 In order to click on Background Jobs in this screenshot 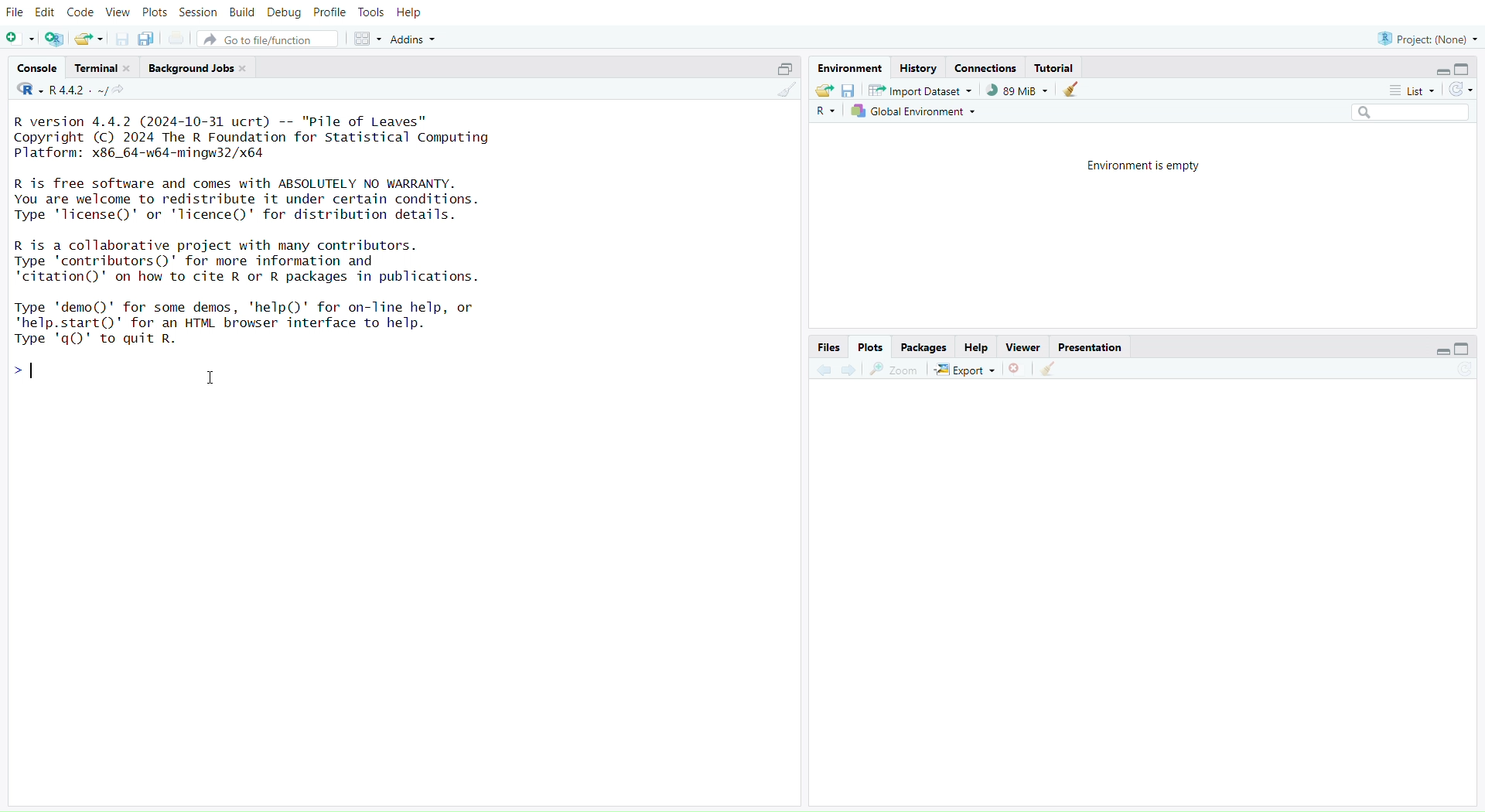, I will do `click(198, 65)`.